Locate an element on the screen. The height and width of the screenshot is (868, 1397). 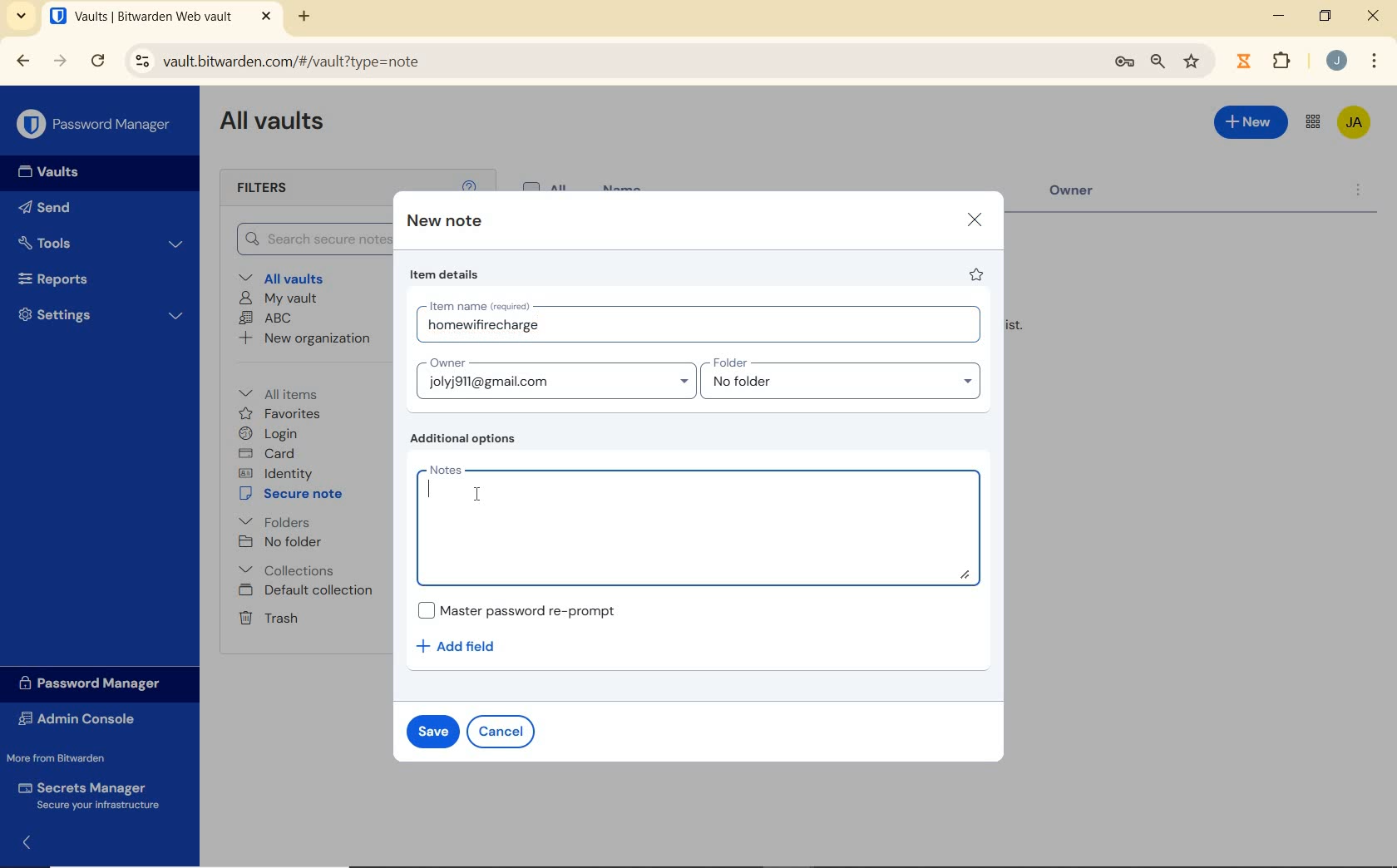
secure note is located at coordinates (294, 494).